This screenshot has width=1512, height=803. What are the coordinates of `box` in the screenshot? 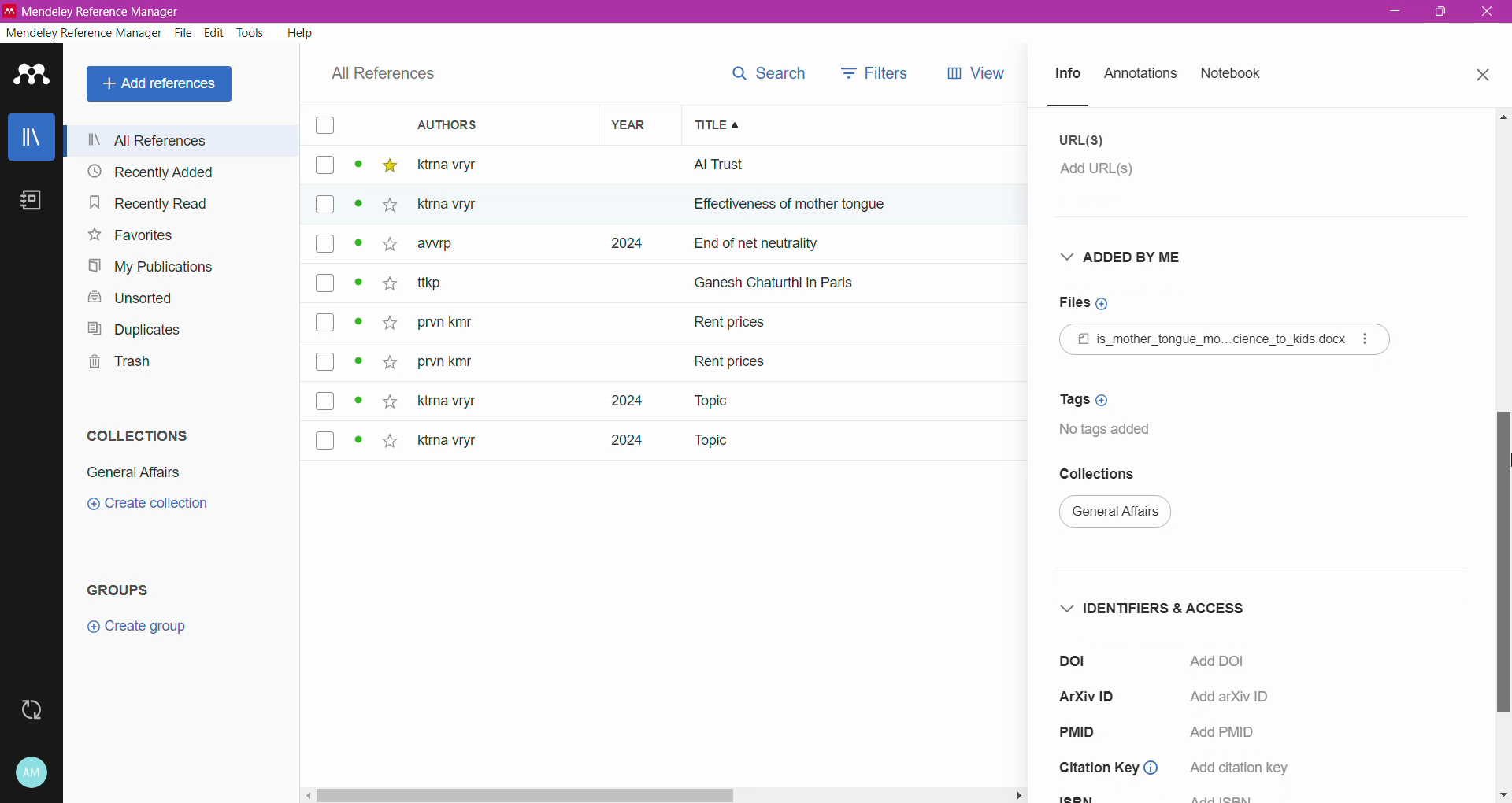 It's located at (324, 283).